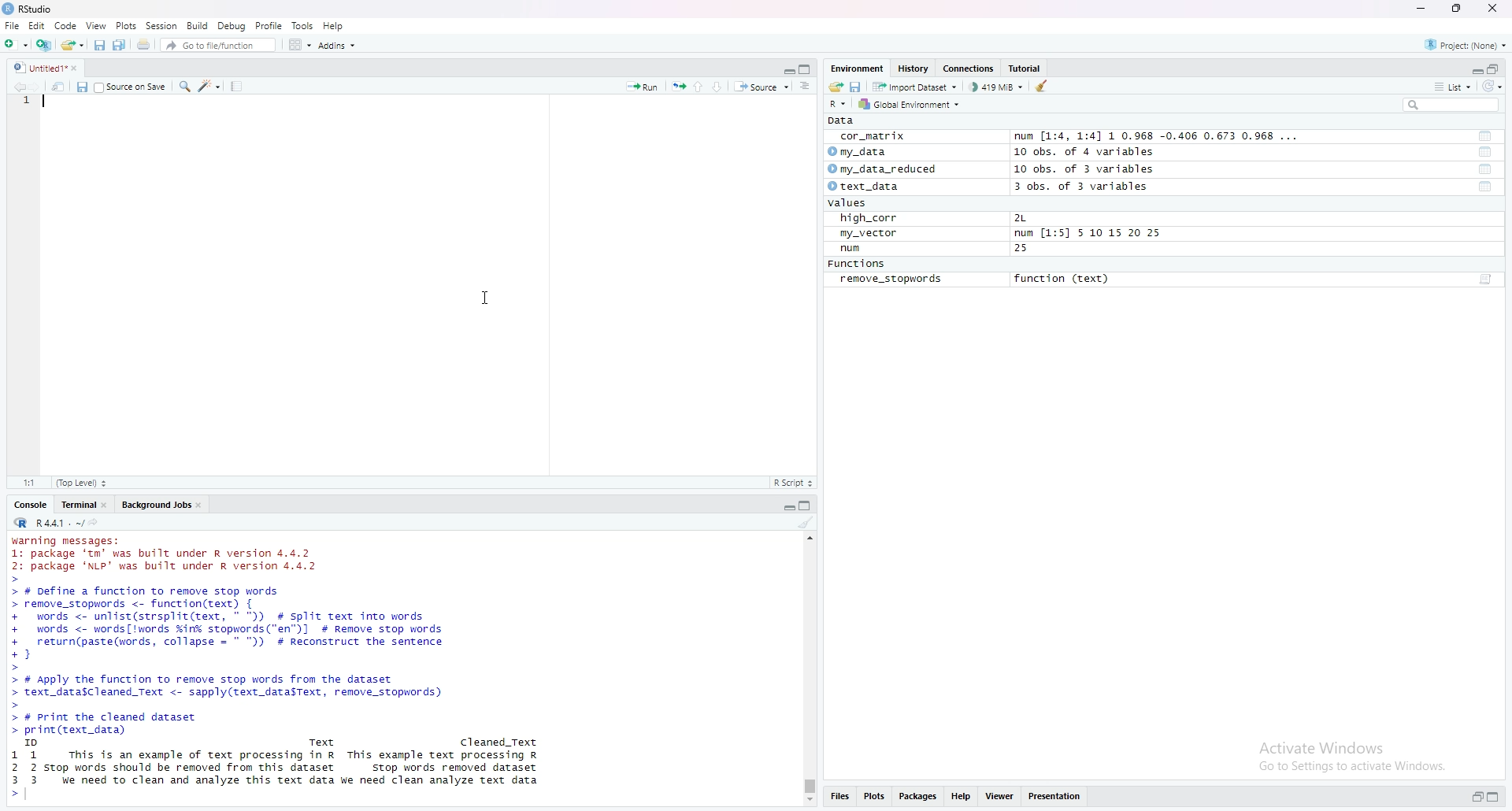 Image resolution: width=1512 pixels, height=811 pixels. Describe the element at coordinates (1158, 135) in the screenshot. I see `num [1:4, 1:4] 1 0.968 -0.406 0.673 0.968 ...` at that location.